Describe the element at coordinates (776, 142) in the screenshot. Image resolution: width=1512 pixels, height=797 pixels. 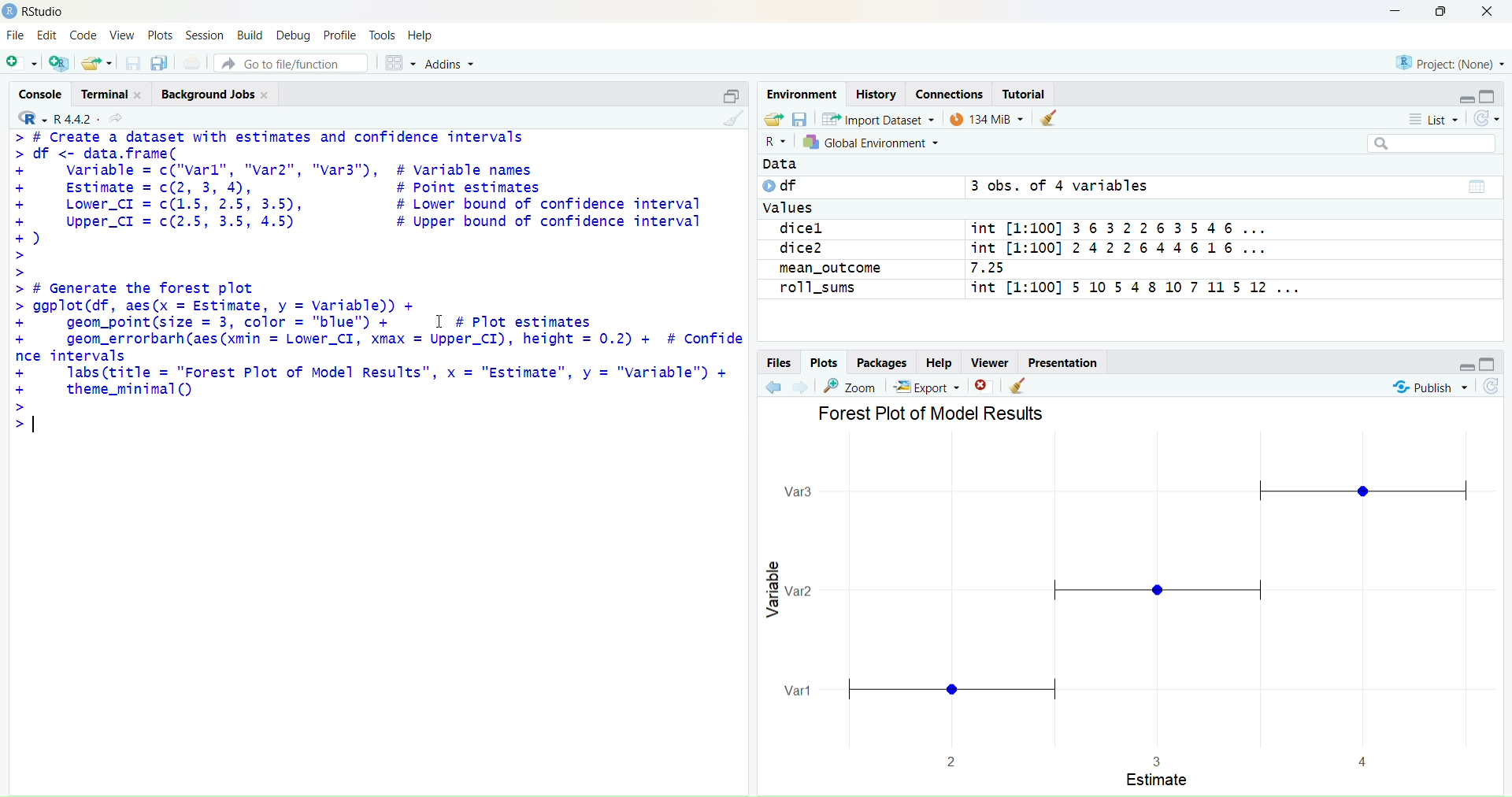
I see `R` at that location.